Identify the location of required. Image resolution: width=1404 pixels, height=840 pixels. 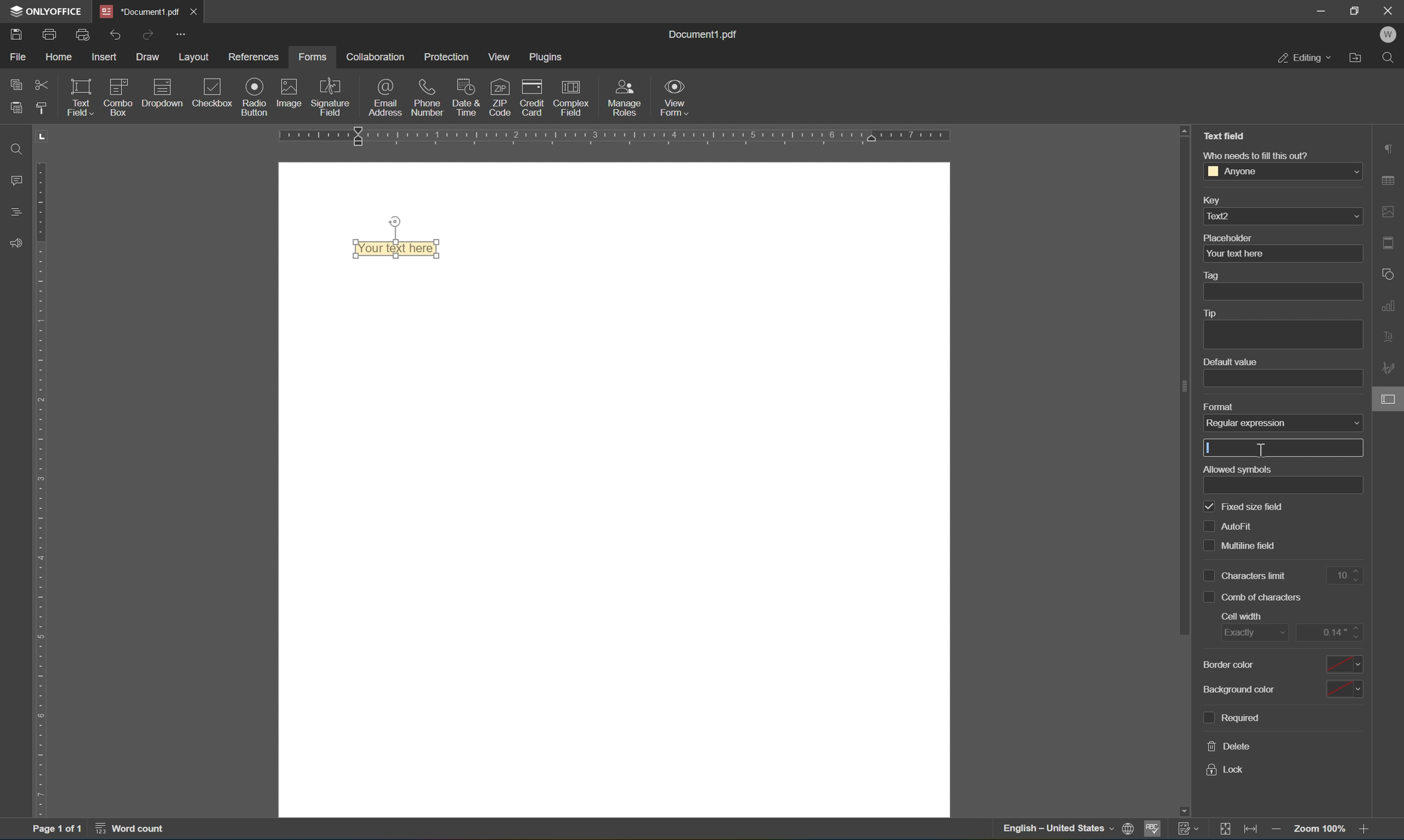
(1236, 719).